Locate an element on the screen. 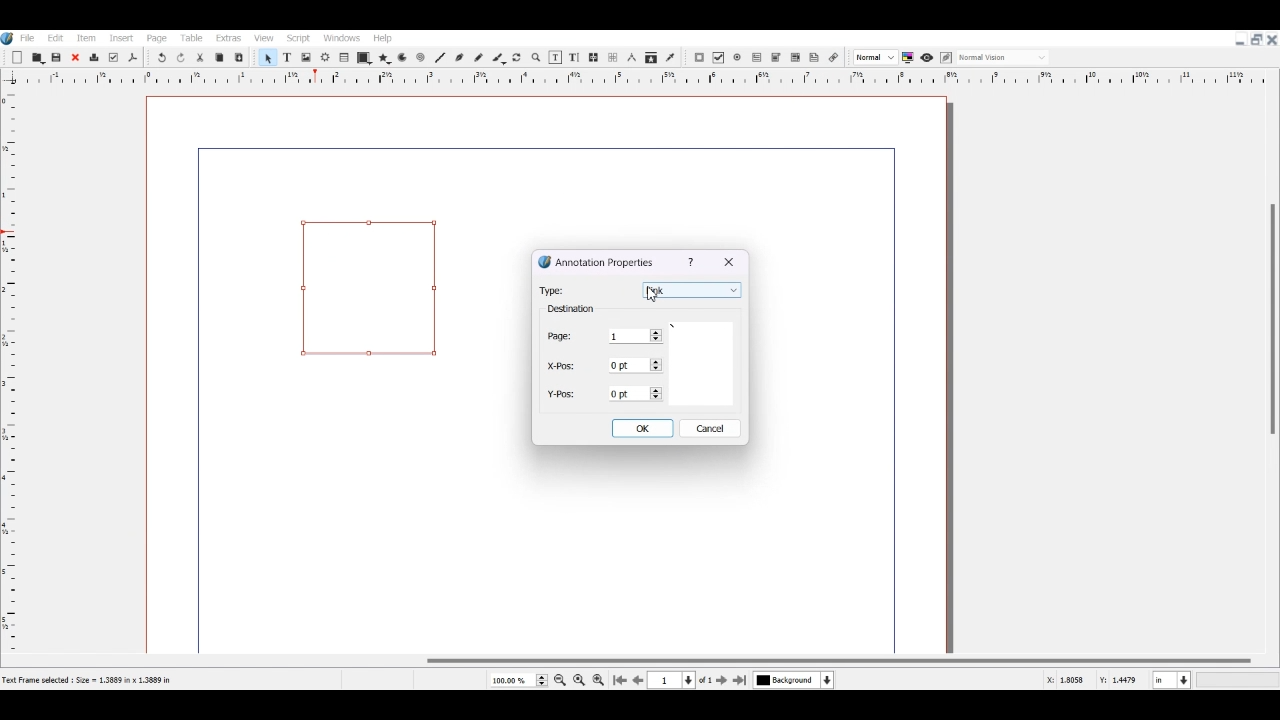  Zoom to 100% is located at coordinates (579, 679).